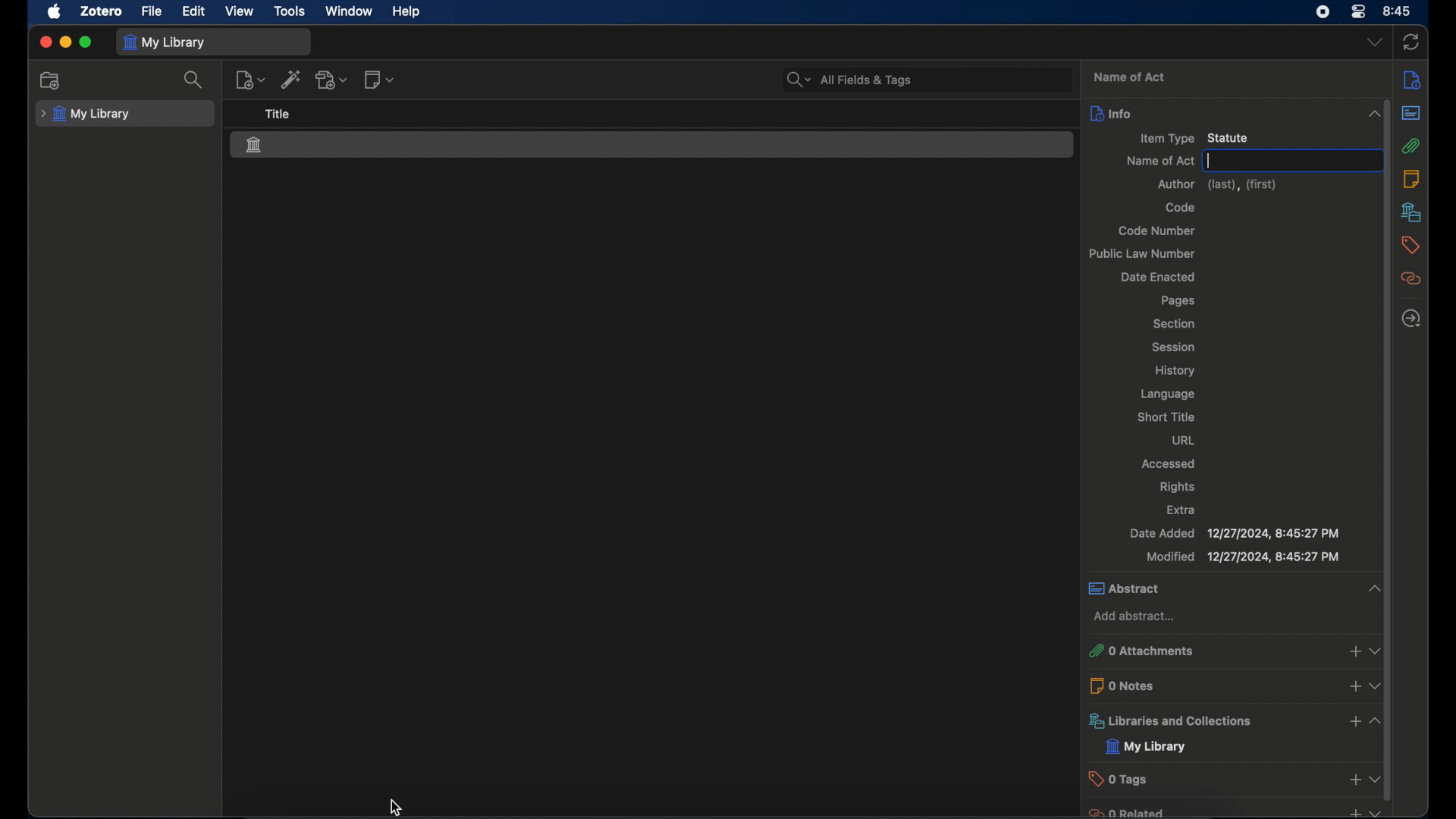  Describe the element at coordinates (99, 11) in the screenshot. I see `zotero` at that location.